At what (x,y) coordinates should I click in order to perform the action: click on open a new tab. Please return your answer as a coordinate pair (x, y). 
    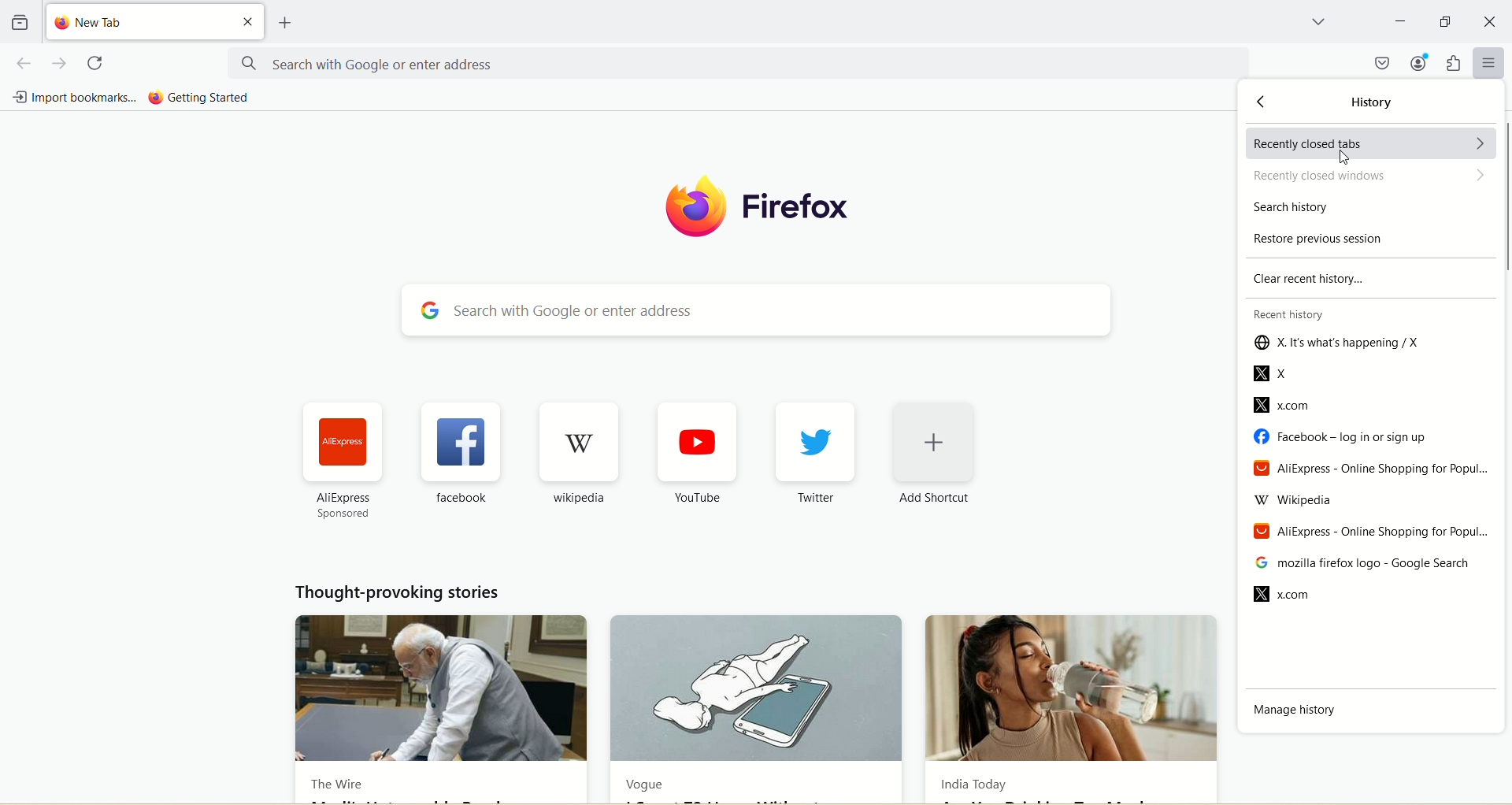
    Looking at the image, I should click on (286, 23).